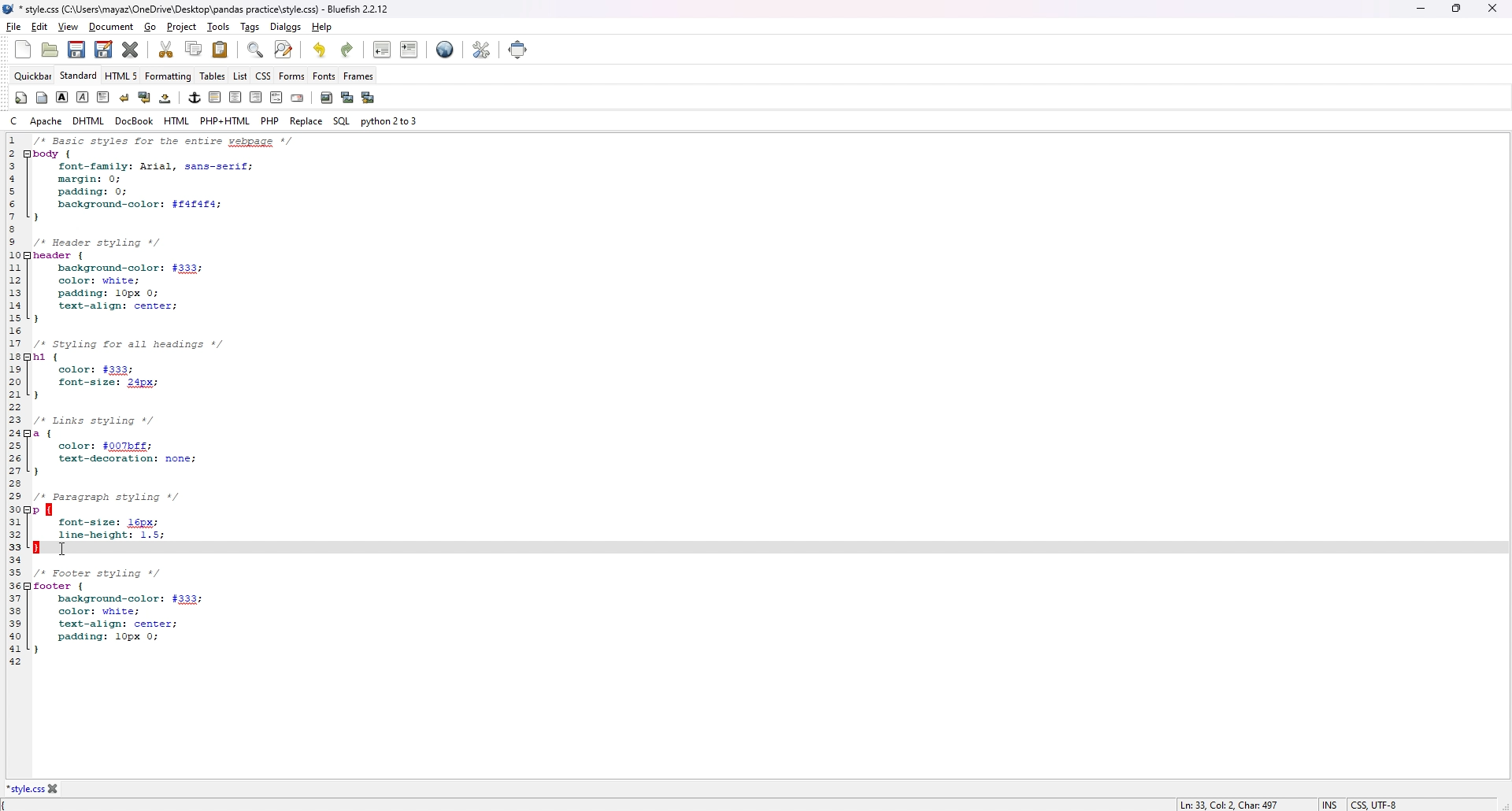 This screenshot has height=811, width=1512. Describe the element at coordinates (240, 76) in the screenshot. I see `list` at that location.